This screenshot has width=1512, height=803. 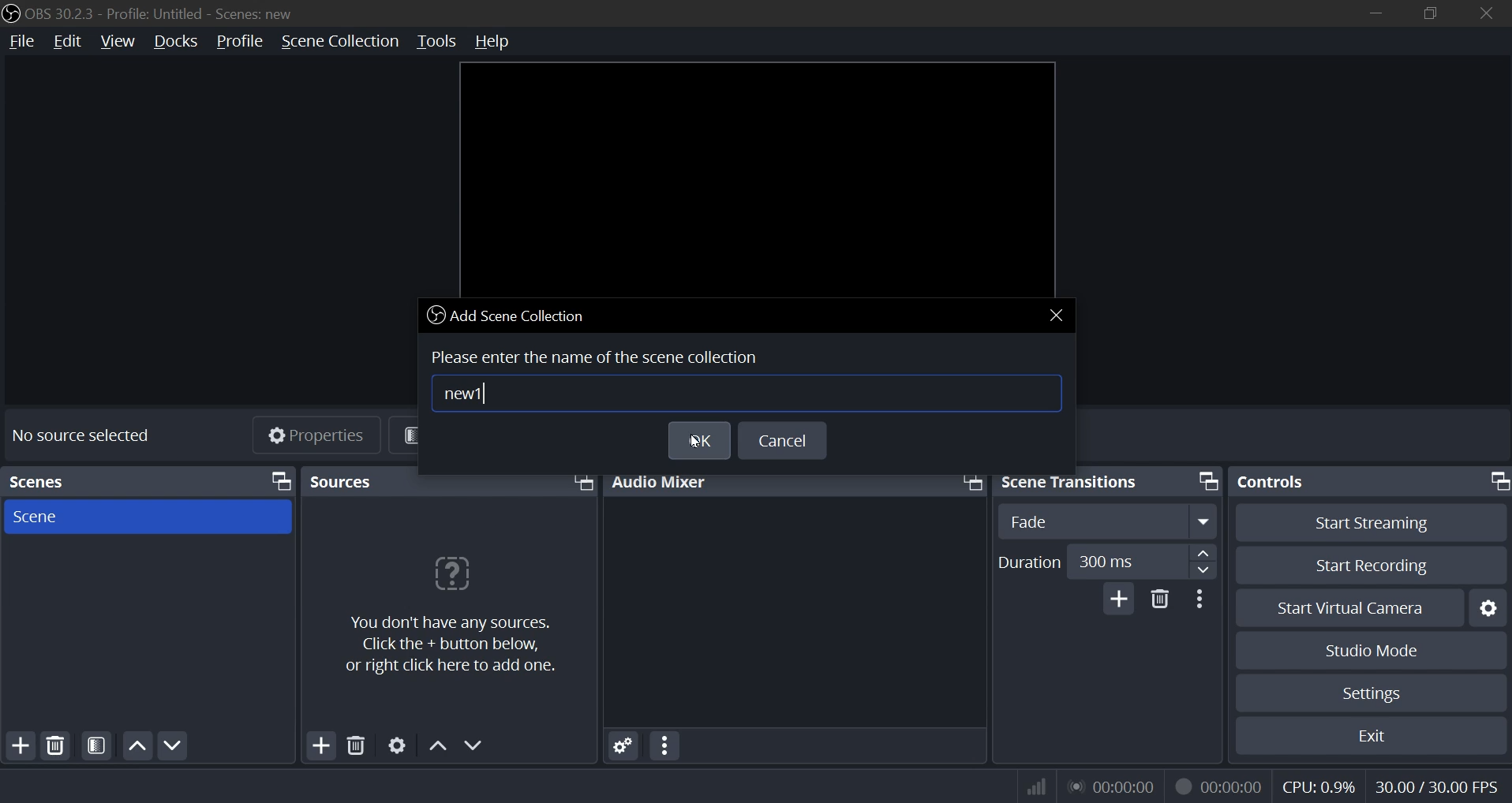 I want to click on bring front, so click(x=1205, y=480).